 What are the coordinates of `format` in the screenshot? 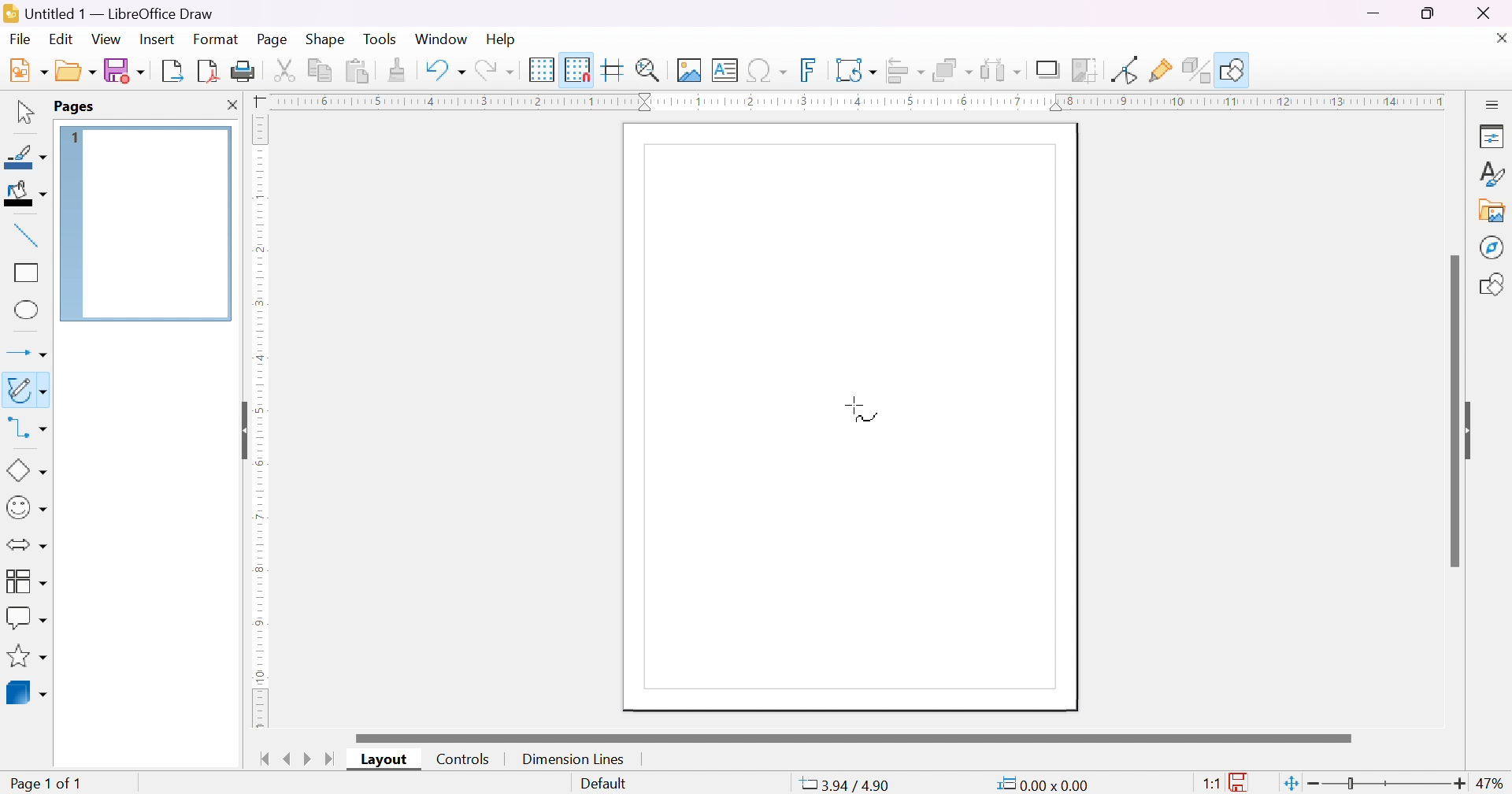 It's located at (217, 38).